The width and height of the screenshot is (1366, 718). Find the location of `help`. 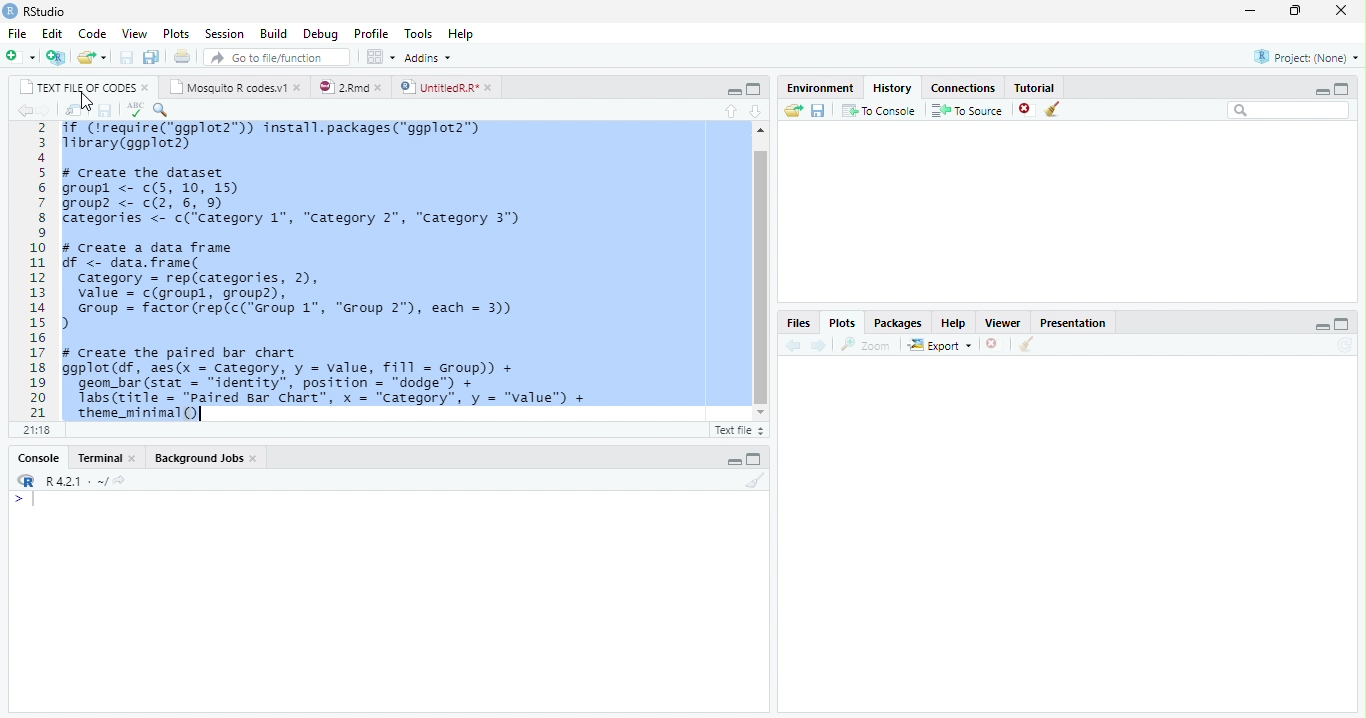

help is located at coordinates (954, 321).